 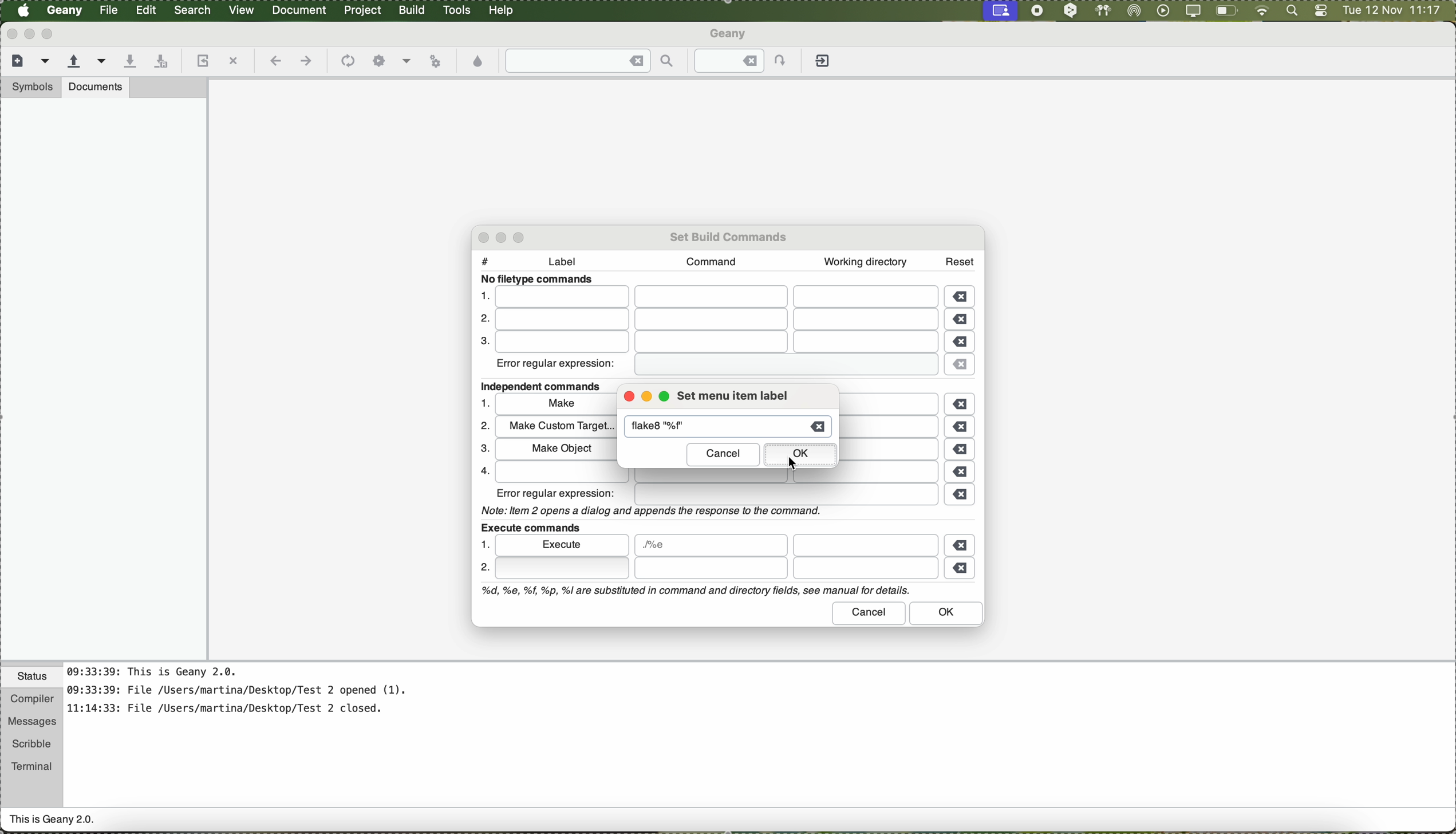 I want to click on close pop-up, so click(x=479, y=237).